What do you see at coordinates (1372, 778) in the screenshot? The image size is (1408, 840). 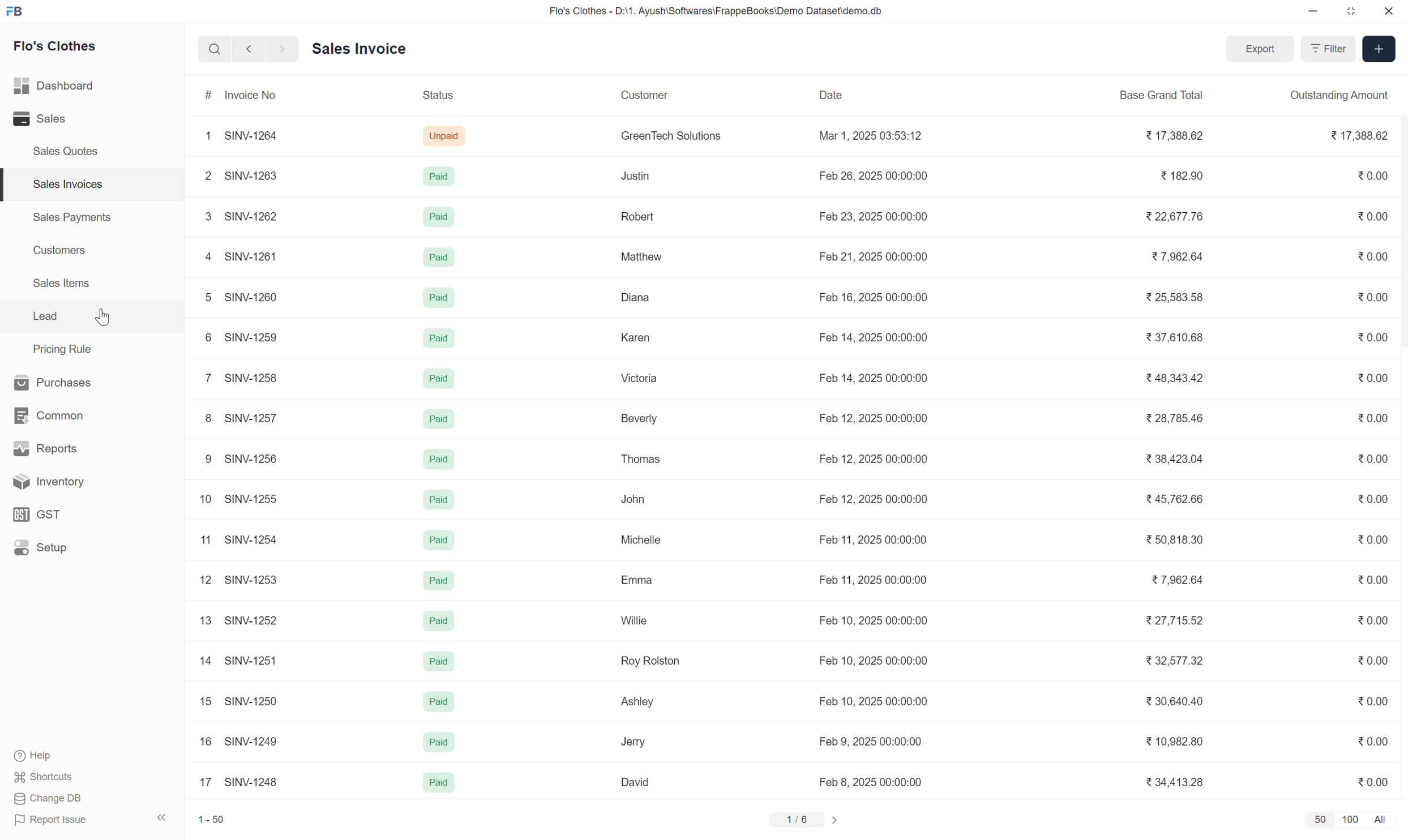 I see `0.00` at bounding box center [1372, 778].